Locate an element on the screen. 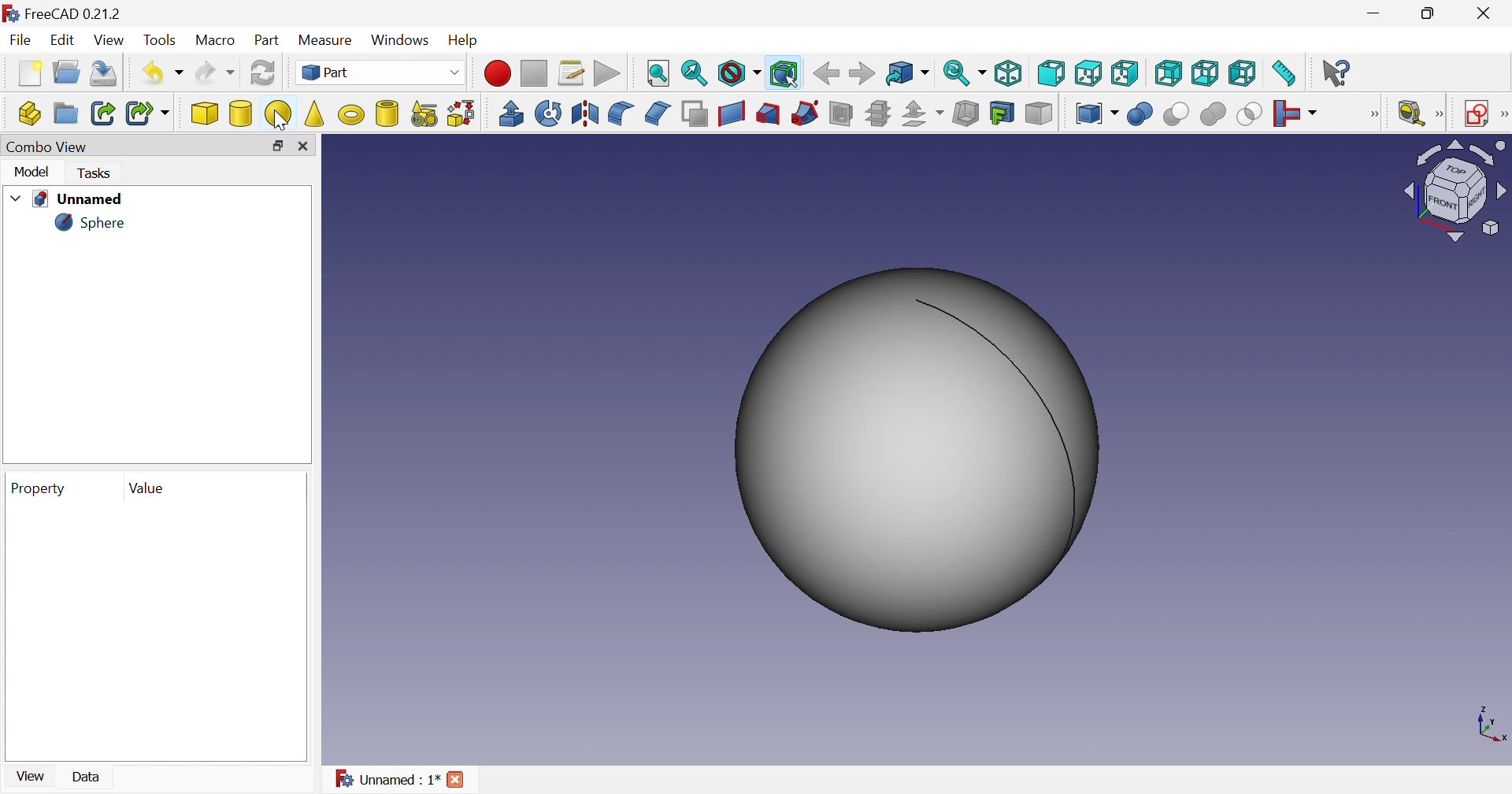  What's this? is located at coordinates (1337, 72).